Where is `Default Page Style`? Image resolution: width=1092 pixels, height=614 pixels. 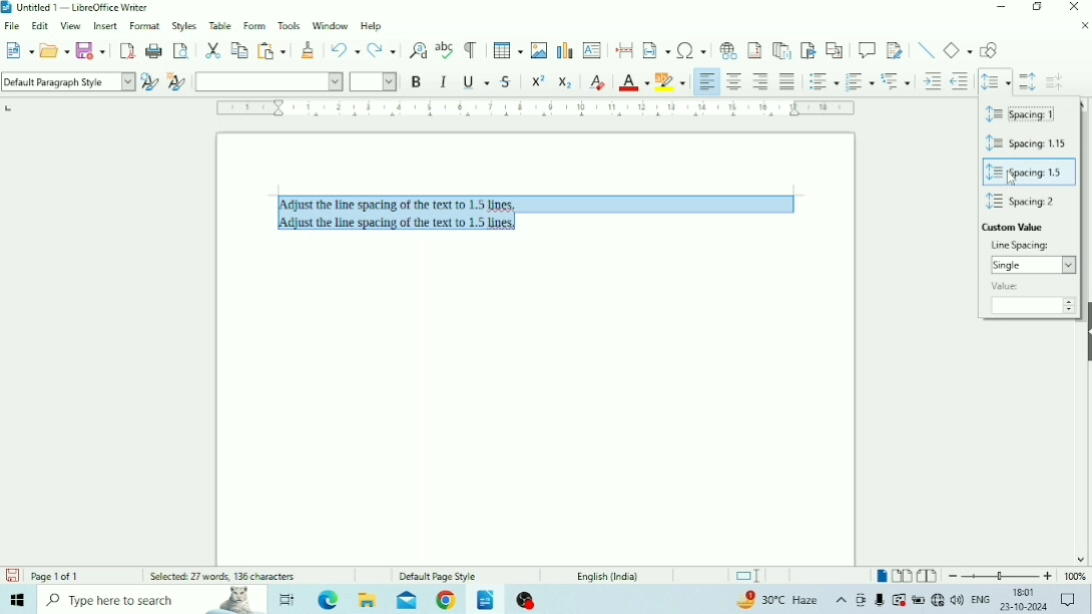 Default Page Style is located at coordinates (438, 575).